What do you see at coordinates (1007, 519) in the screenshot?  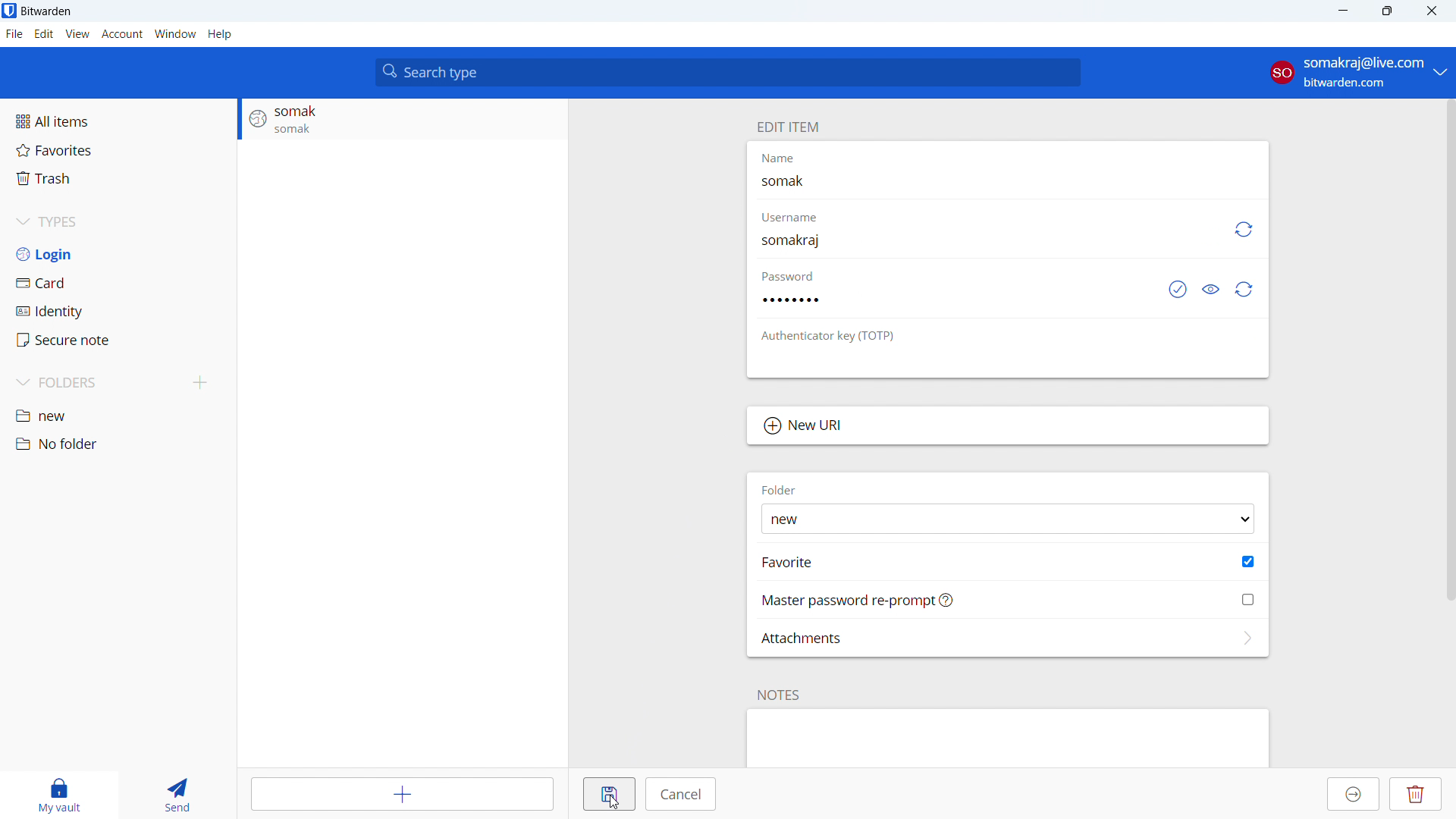 I see `select folder` at bounding box center [1007, 519].